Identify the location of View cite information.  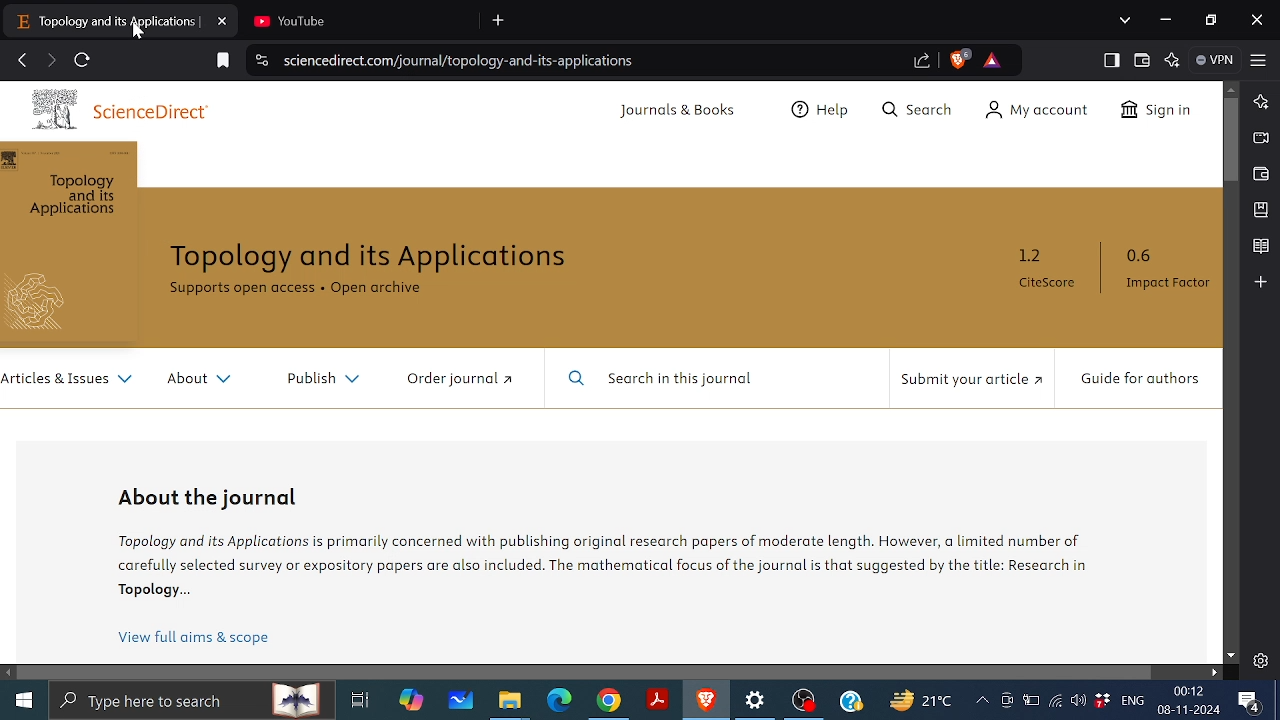
(263, 62).